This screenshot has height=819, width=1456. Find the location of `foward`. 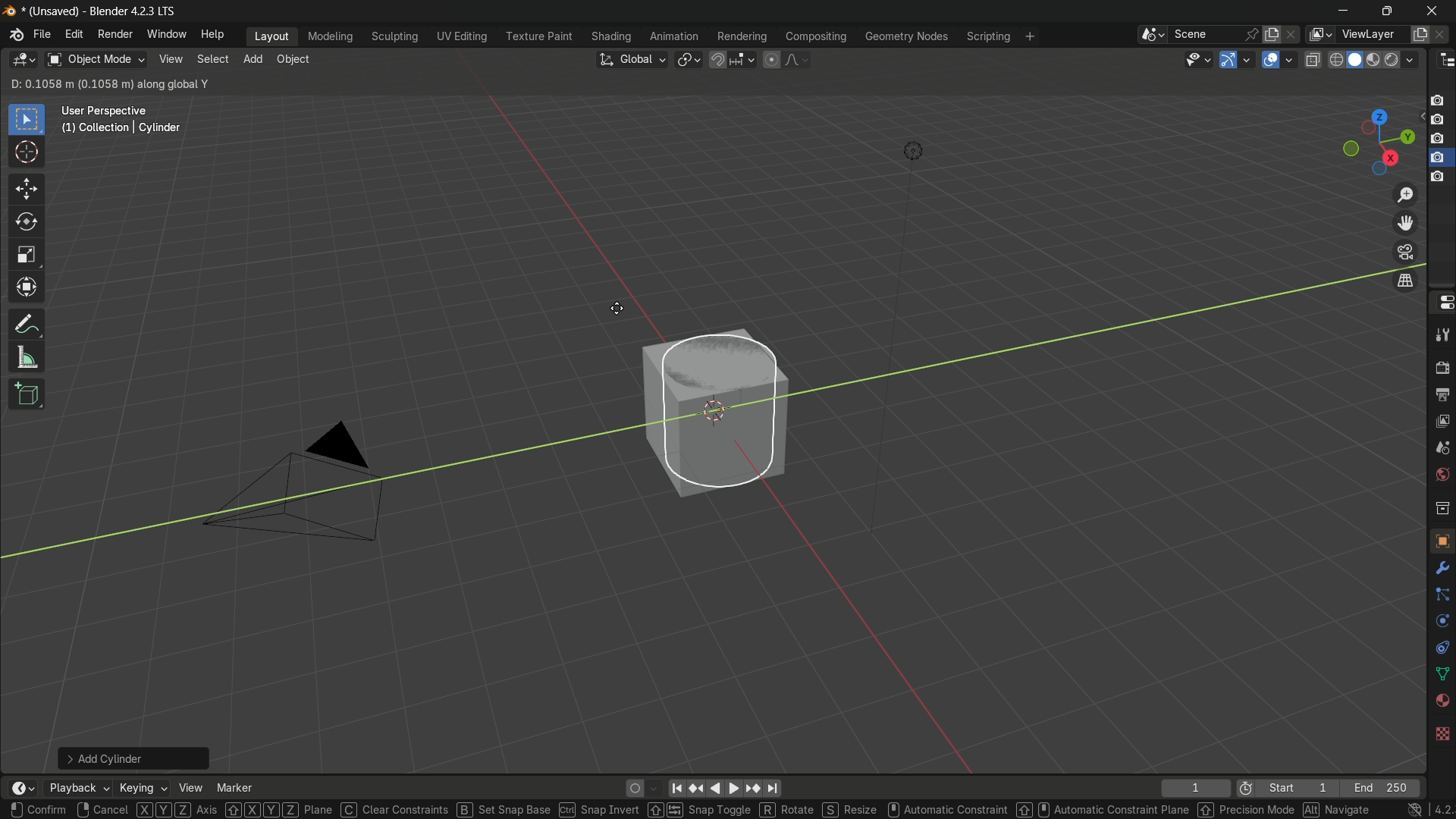

foward is located at coordinates (734, 788).